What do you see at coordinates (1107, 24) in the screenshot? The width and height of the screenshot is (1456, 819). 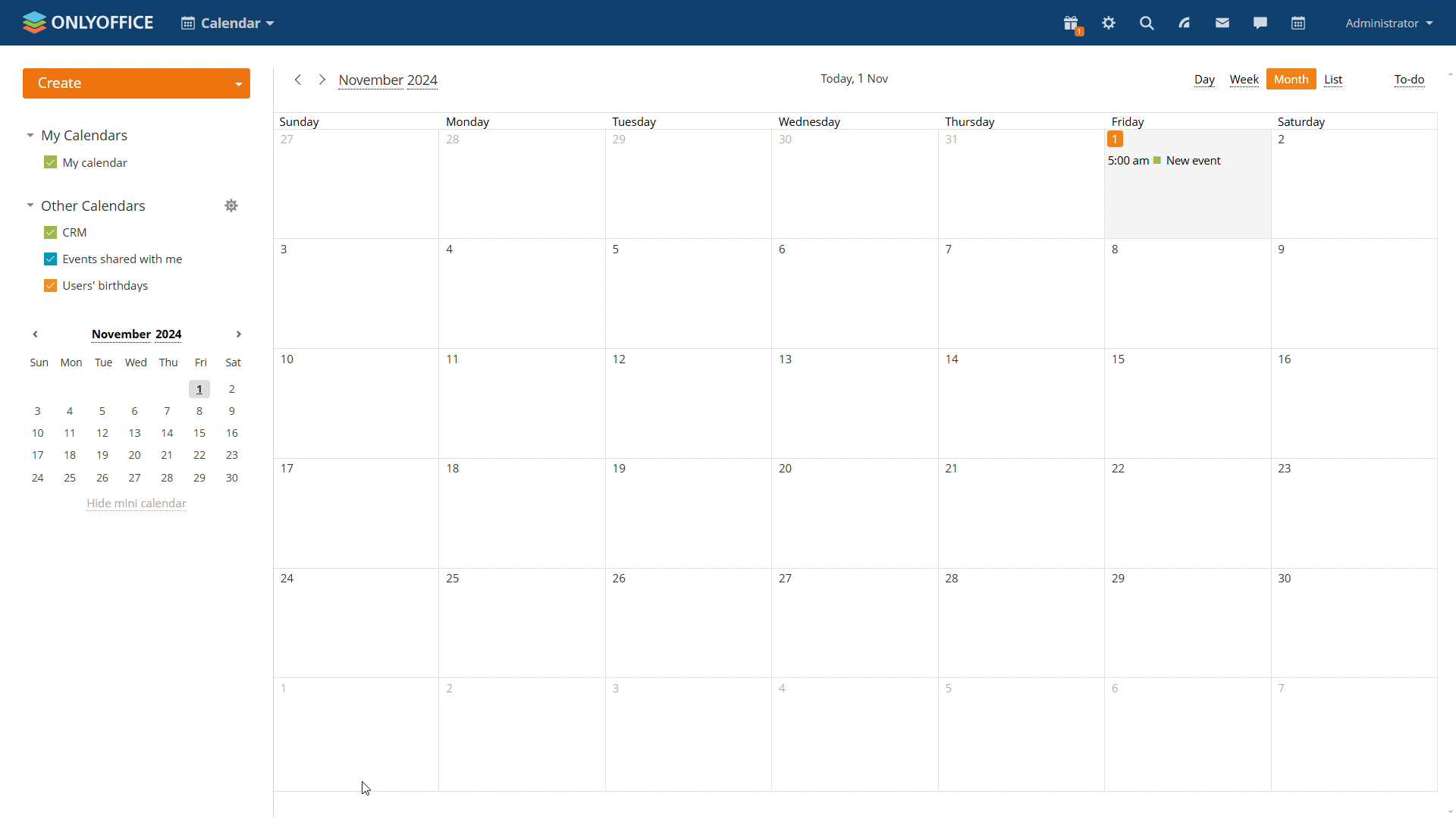 I see `settings` at bounding box center [1107, 24].